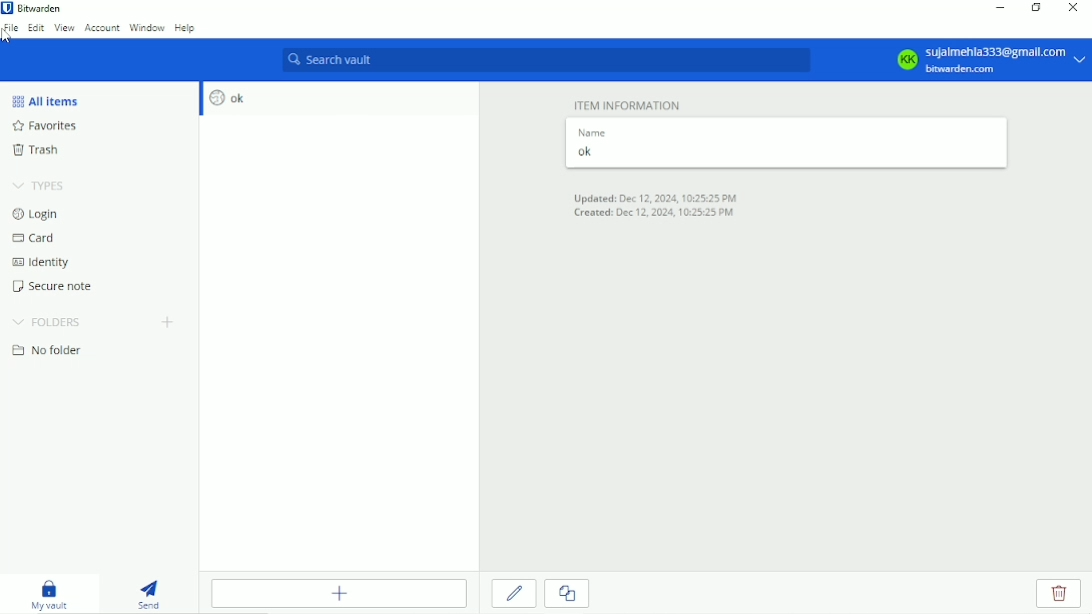  I want to click on Window, so click(147, 27).